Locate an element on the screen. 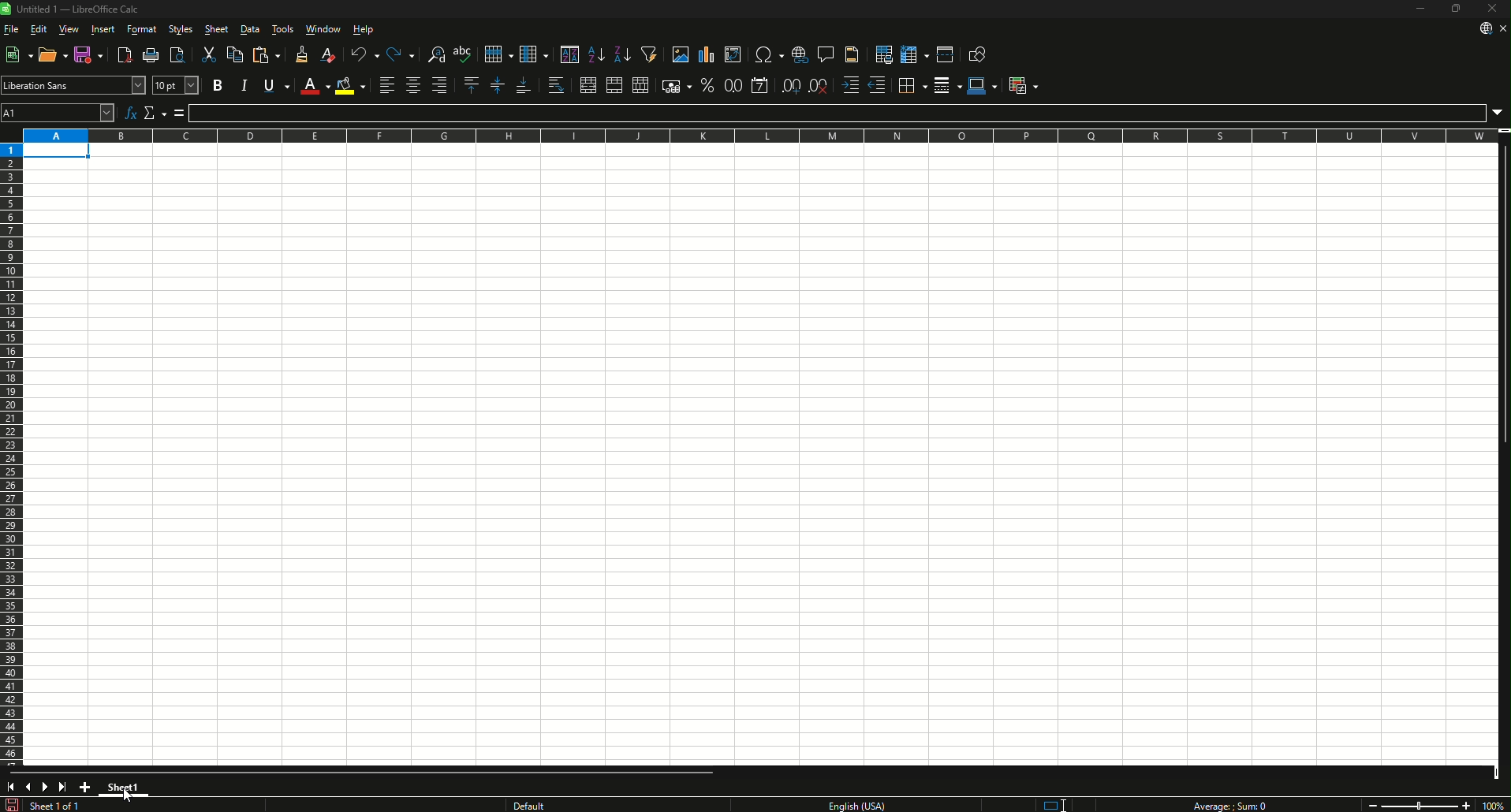 This screenshot has height=812, width=1511. Expand Formula Bar is located at coordinates (1498, 114).